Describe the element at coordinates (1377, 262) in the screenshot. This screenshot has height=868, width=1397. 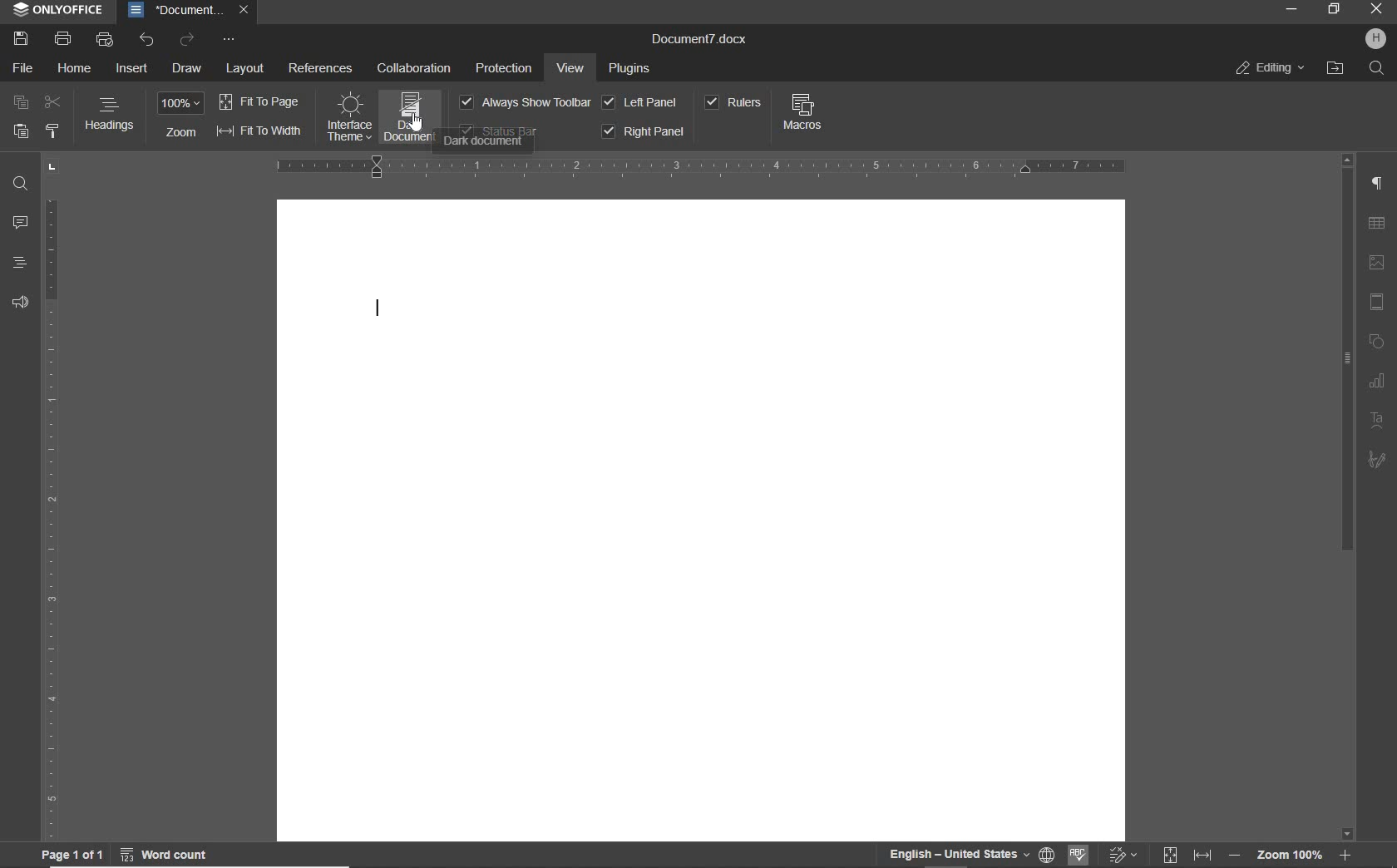
I see `IMAGE` at that location.